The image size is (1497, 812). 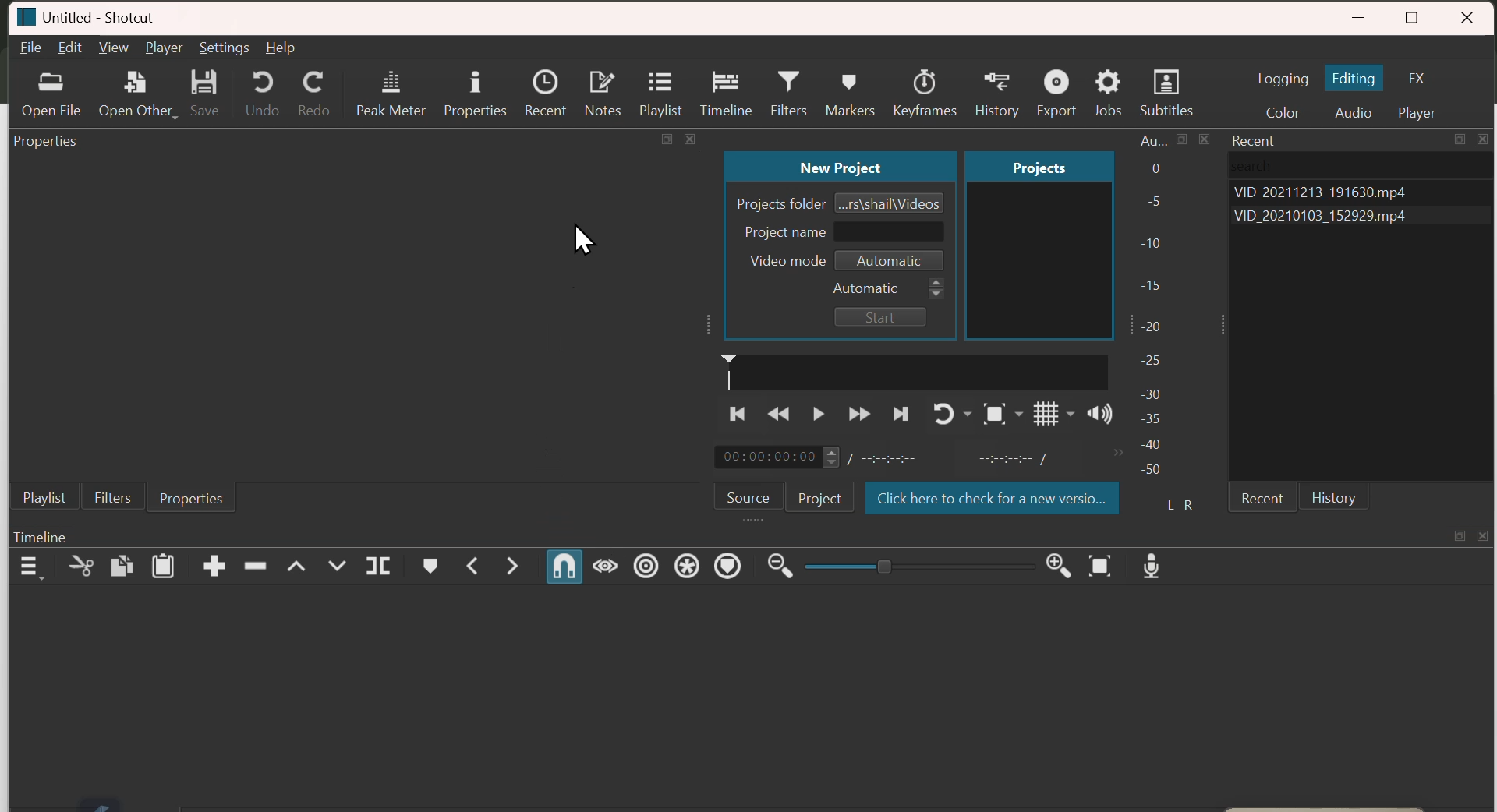 I want to click on Split ahead, so click(x=378, y=565).